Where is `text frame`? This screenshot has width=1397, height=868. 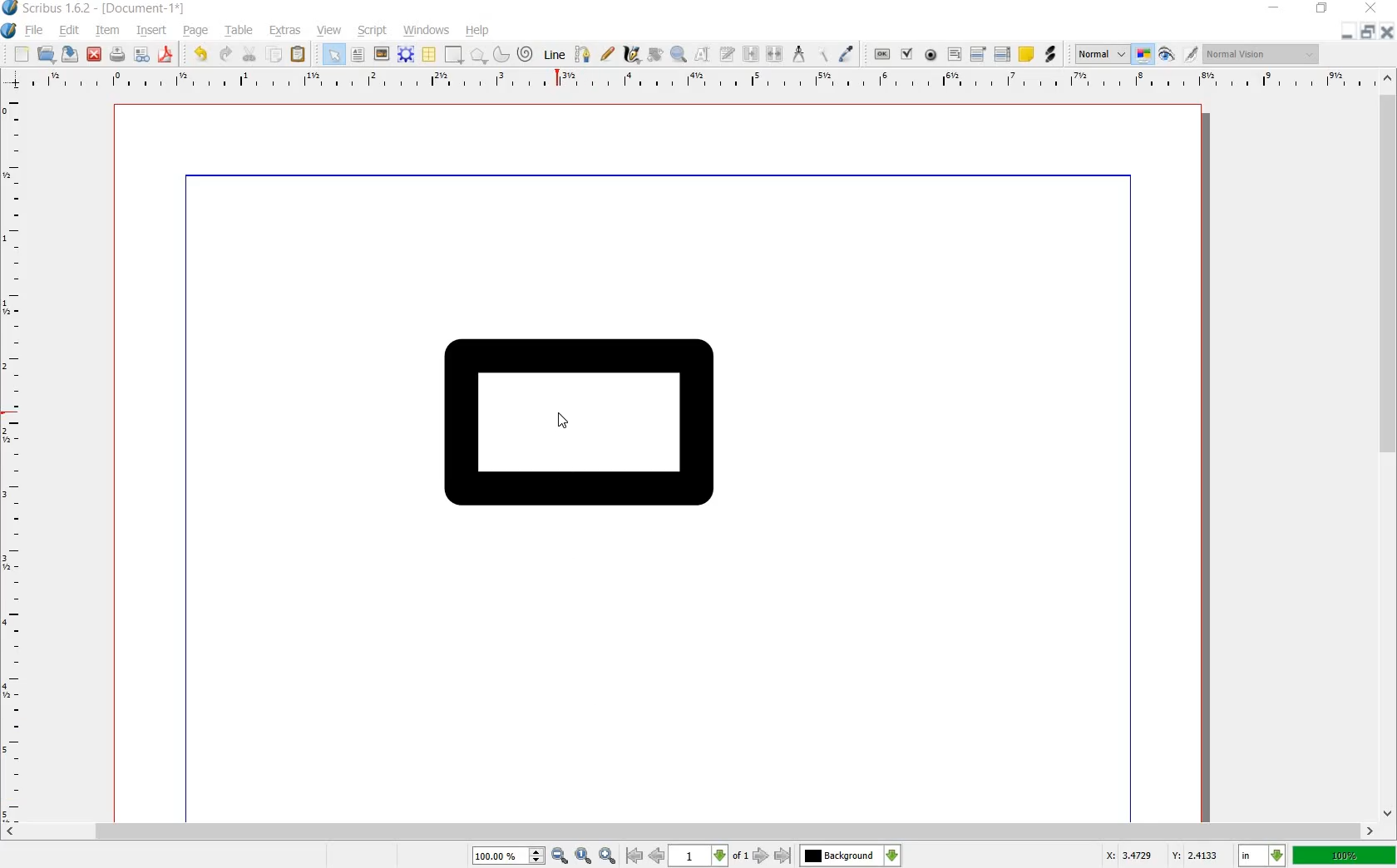 text frame is located at coordinates (357, 55).